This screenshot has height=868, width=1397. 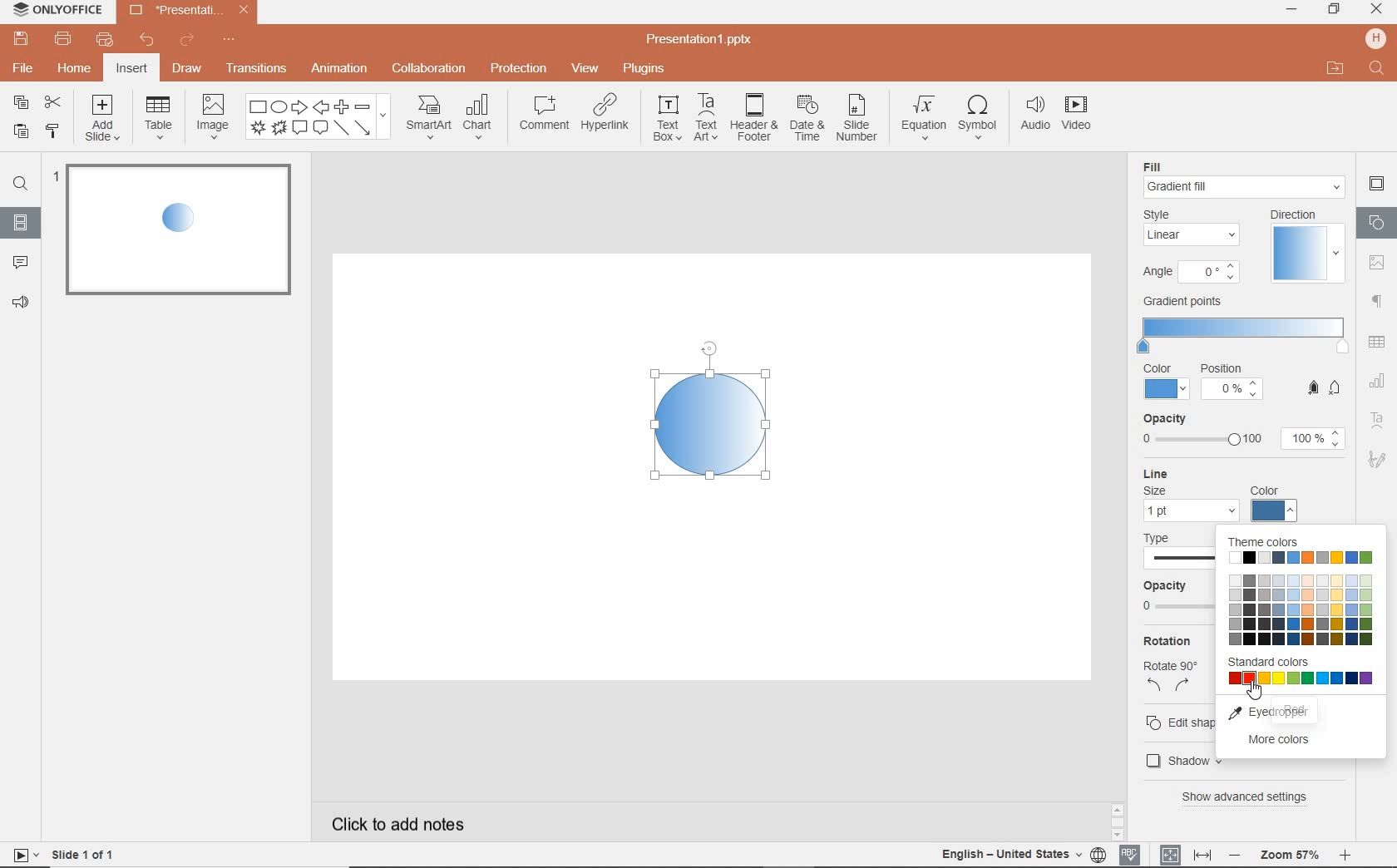 I want to click on more colors, so click(x=1293, y=743).